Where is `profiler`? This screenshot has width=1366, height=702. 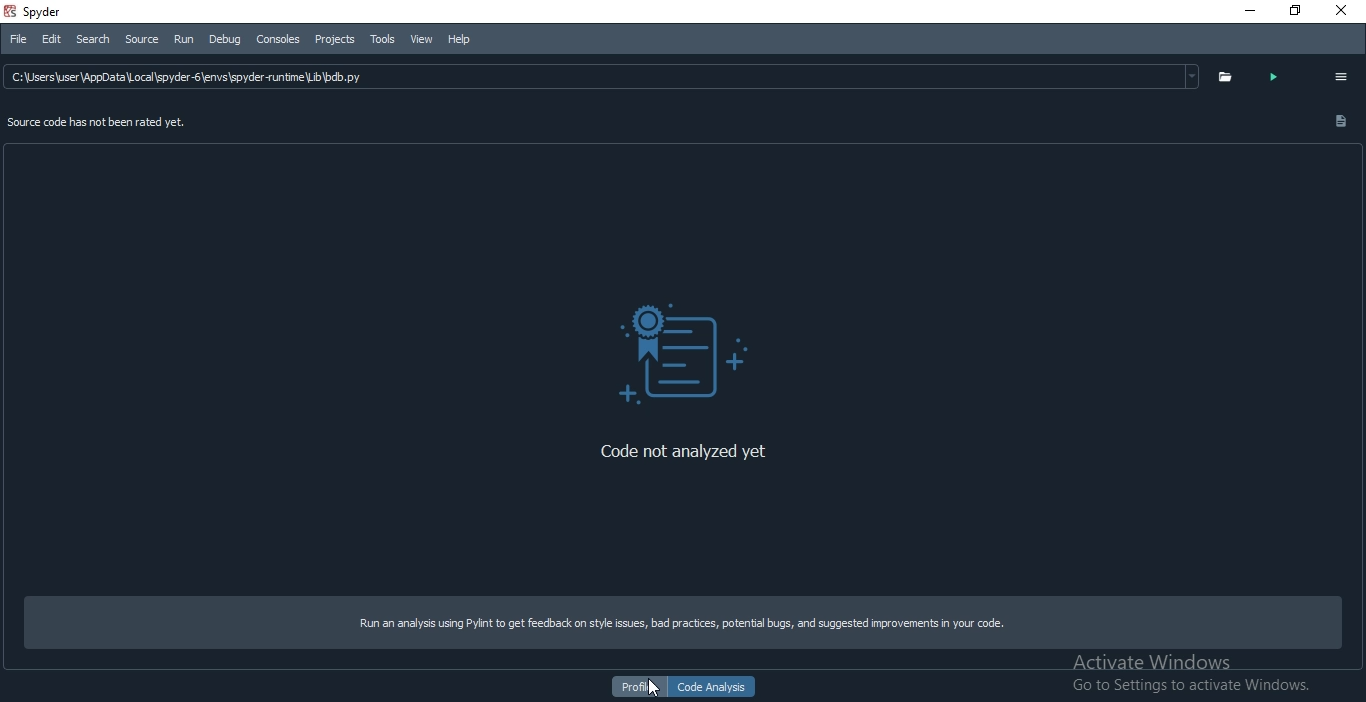 profiler is located at coordinates (640, 687).